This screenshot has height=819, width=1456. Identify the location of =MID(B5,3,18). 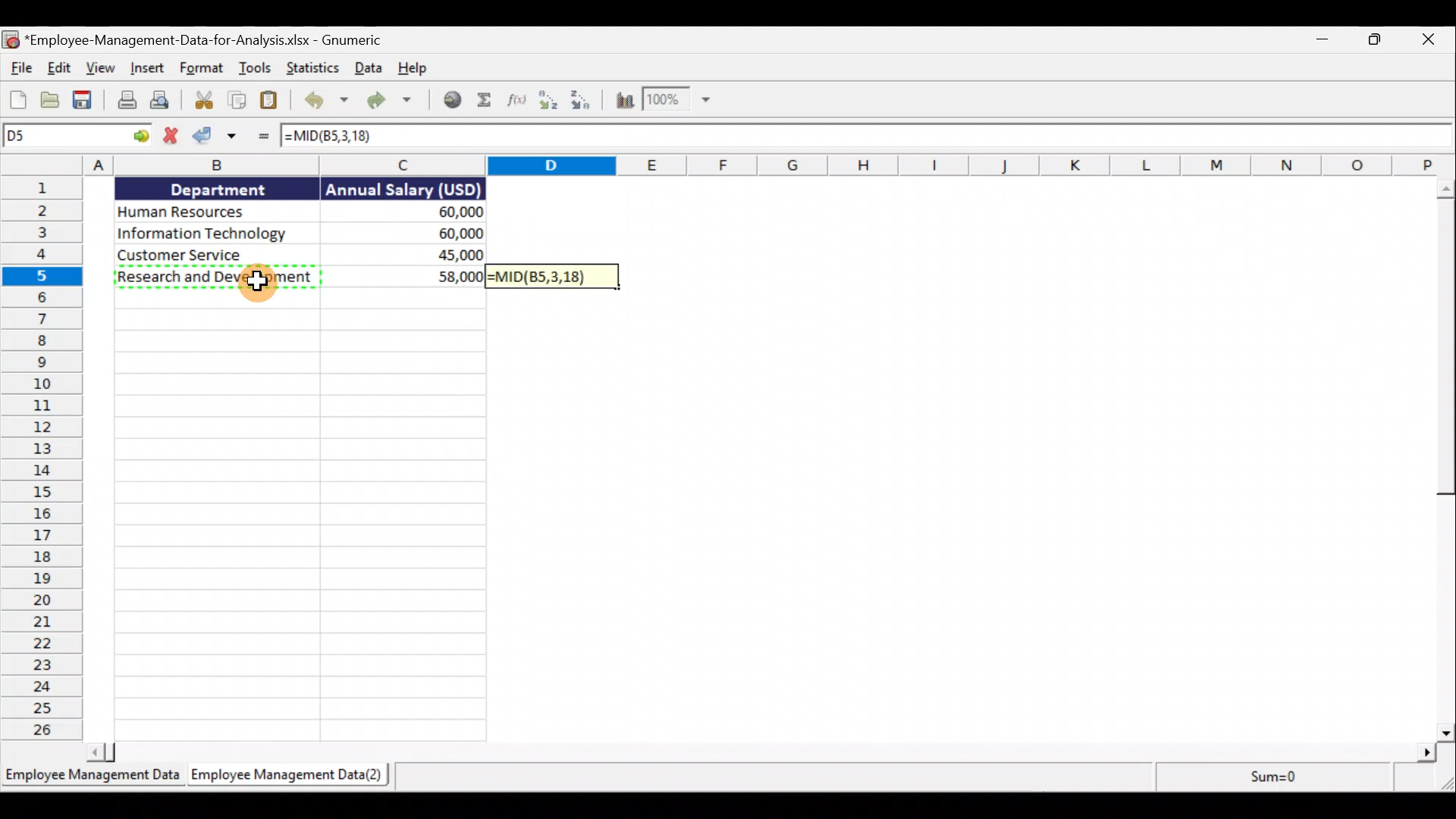
(554, 275).